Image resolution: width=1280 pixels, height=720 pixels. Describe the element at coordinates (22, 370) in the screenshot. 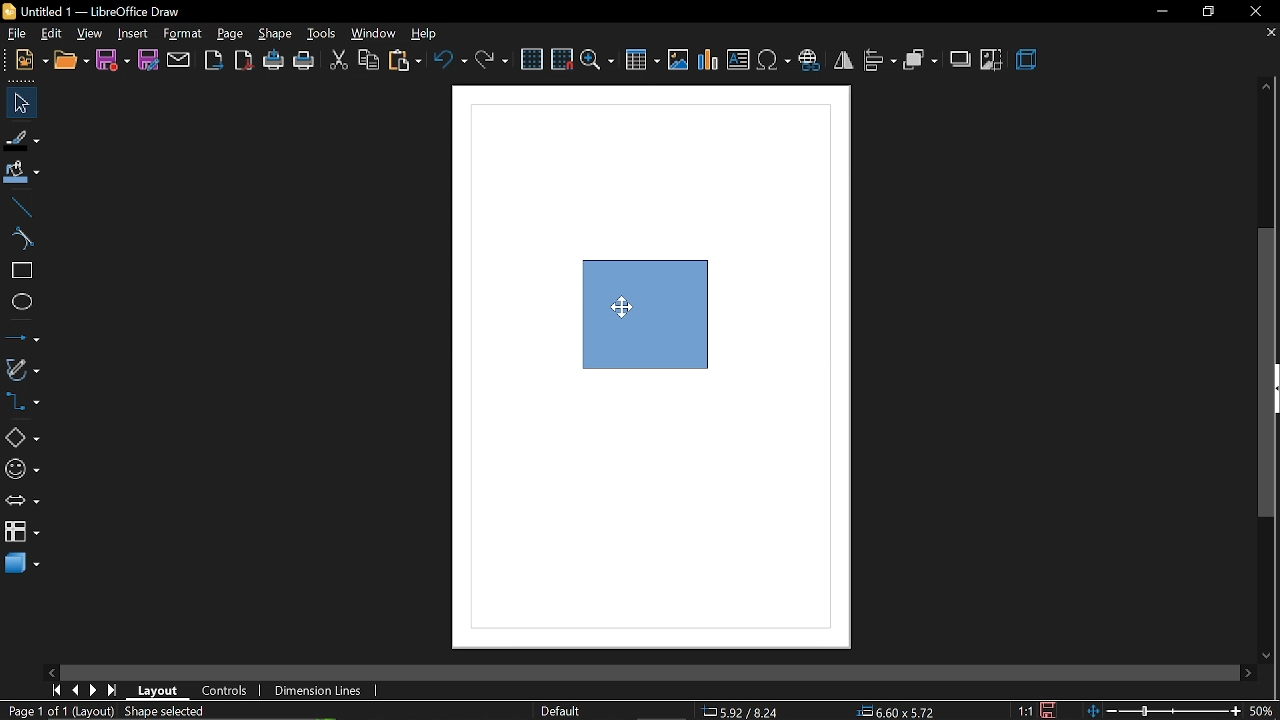

I see `curves and polygons` at that location.